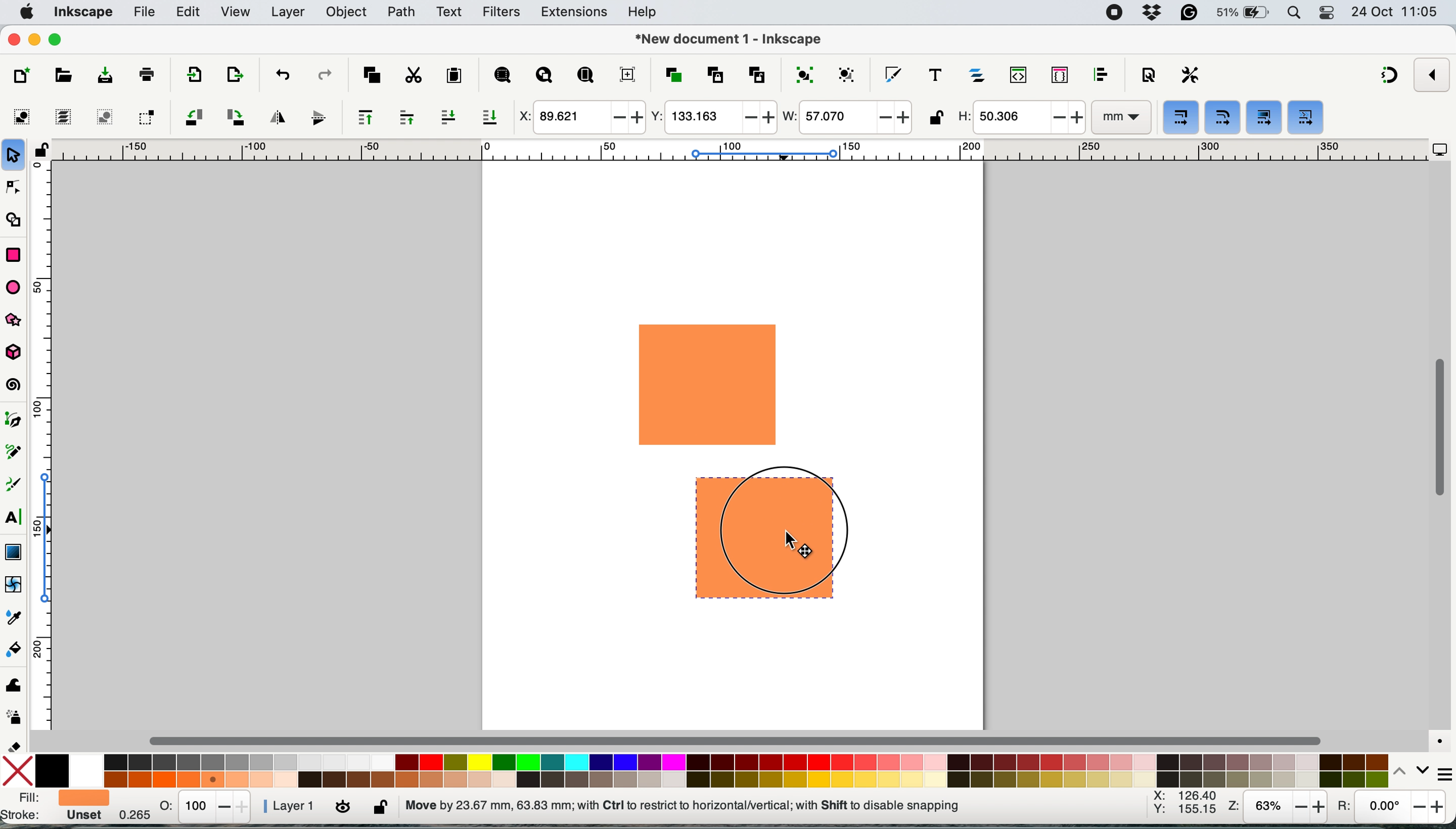 The width and height of the screenshot is (1456, 829). I want to click on more settings, so click(1438, 771).